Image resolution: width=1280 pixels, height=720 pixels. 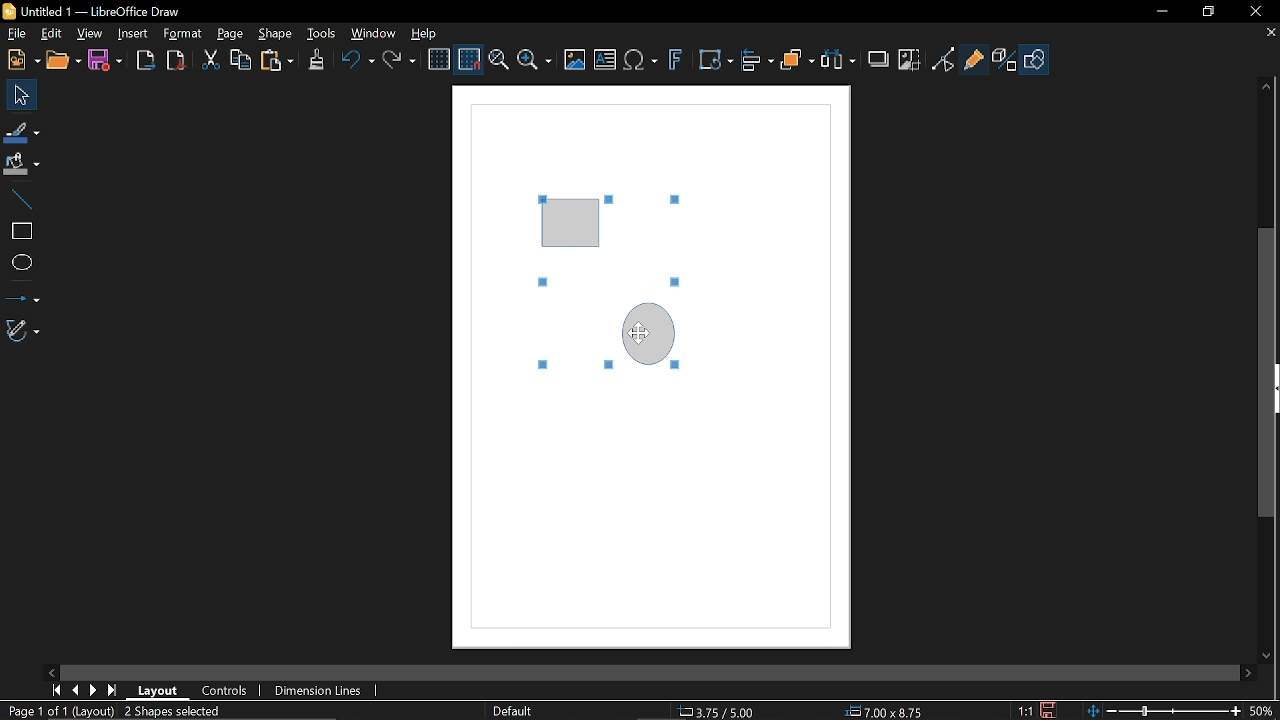 I want to click on Minimize, so click(x=1162, y=11).